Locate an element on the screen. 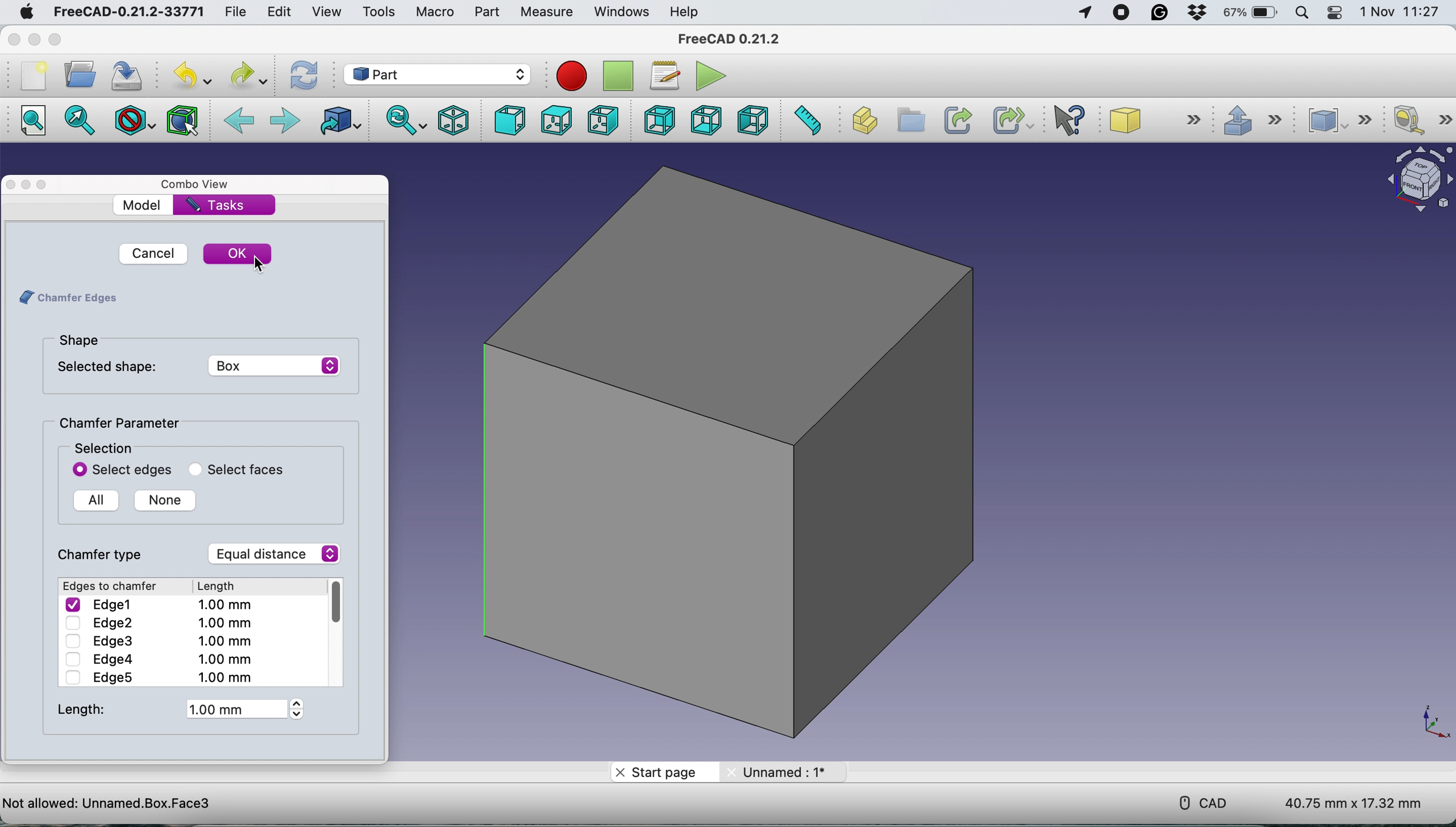 This screenshot has height=827, width=1456. box is located at coordinates (748, 456).